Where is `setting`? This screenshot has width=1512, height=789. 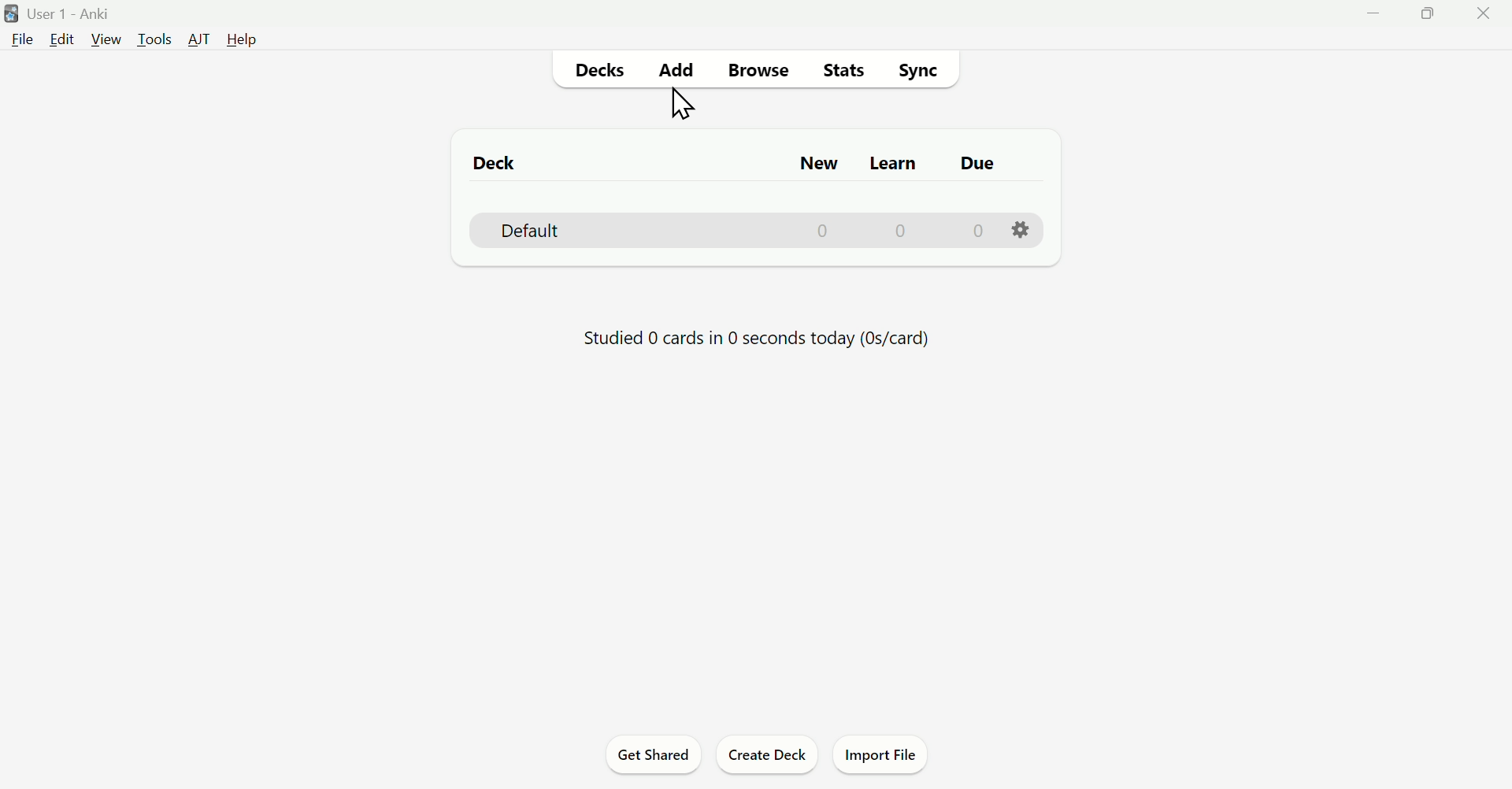
setting is located at coordinates (1020, 221).